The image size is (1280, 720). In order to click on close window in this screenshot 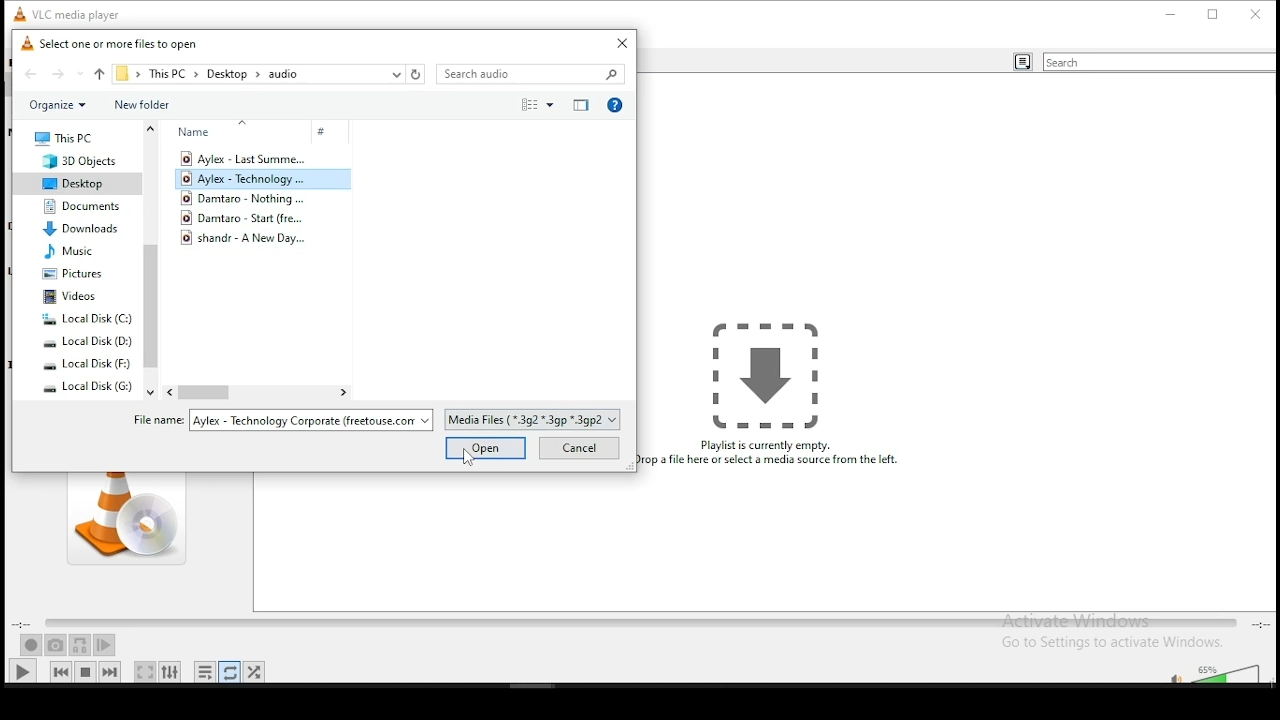, I will do `click(1257, 13)`.